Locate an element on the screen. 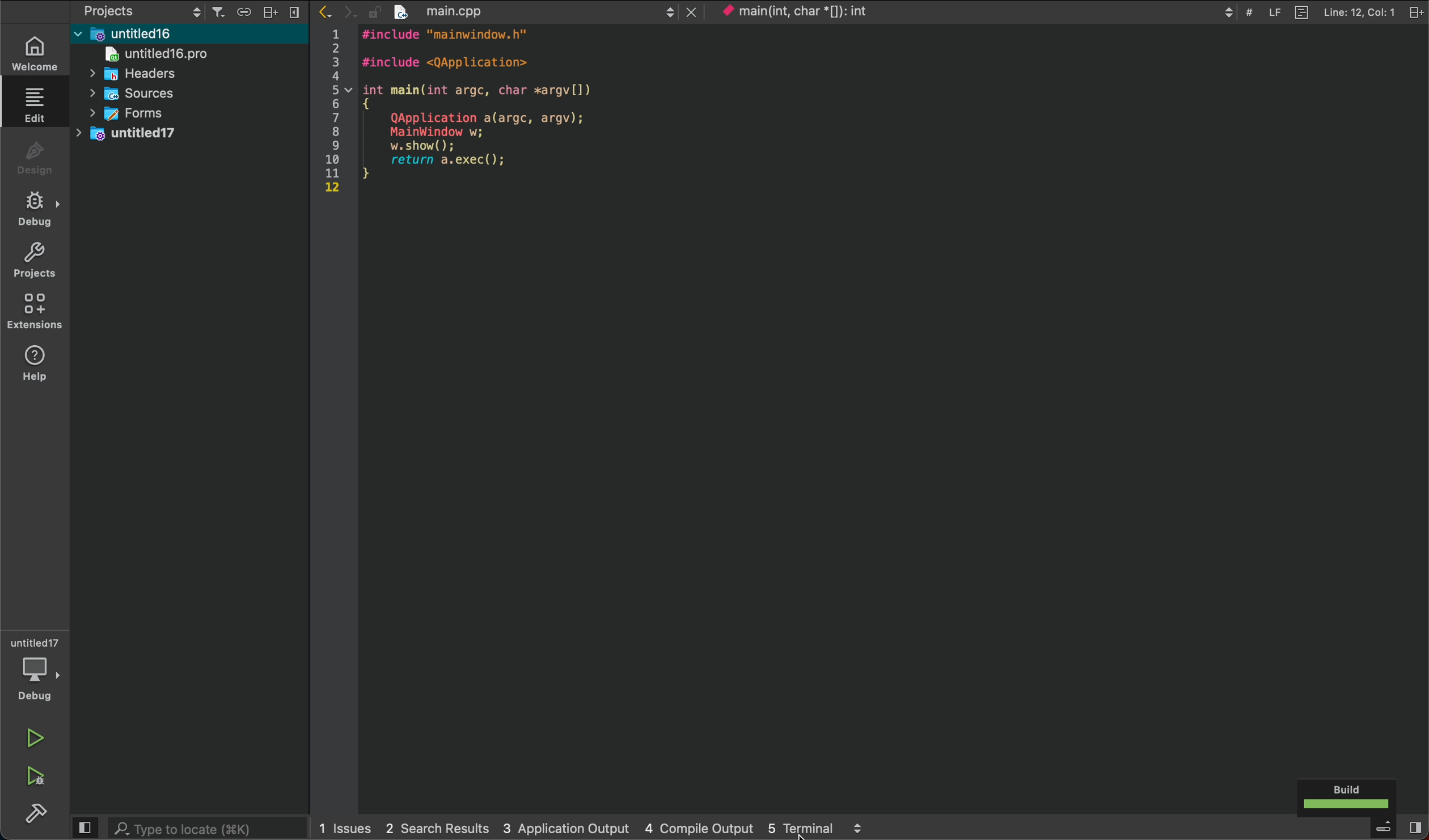  Issues is located at coordinates (346, 827).